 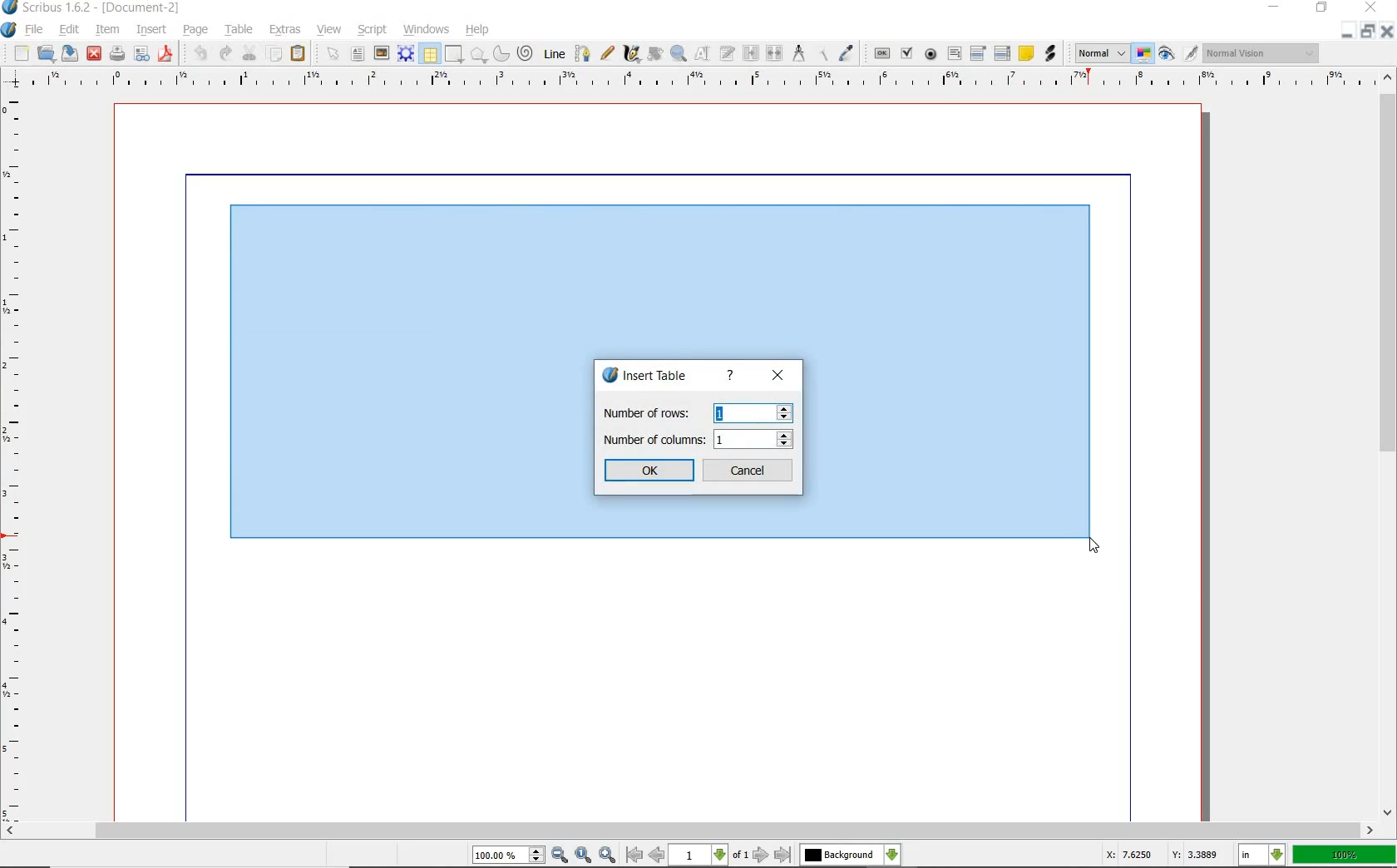 I want to click on 100%, so click(x=1345, y=853).